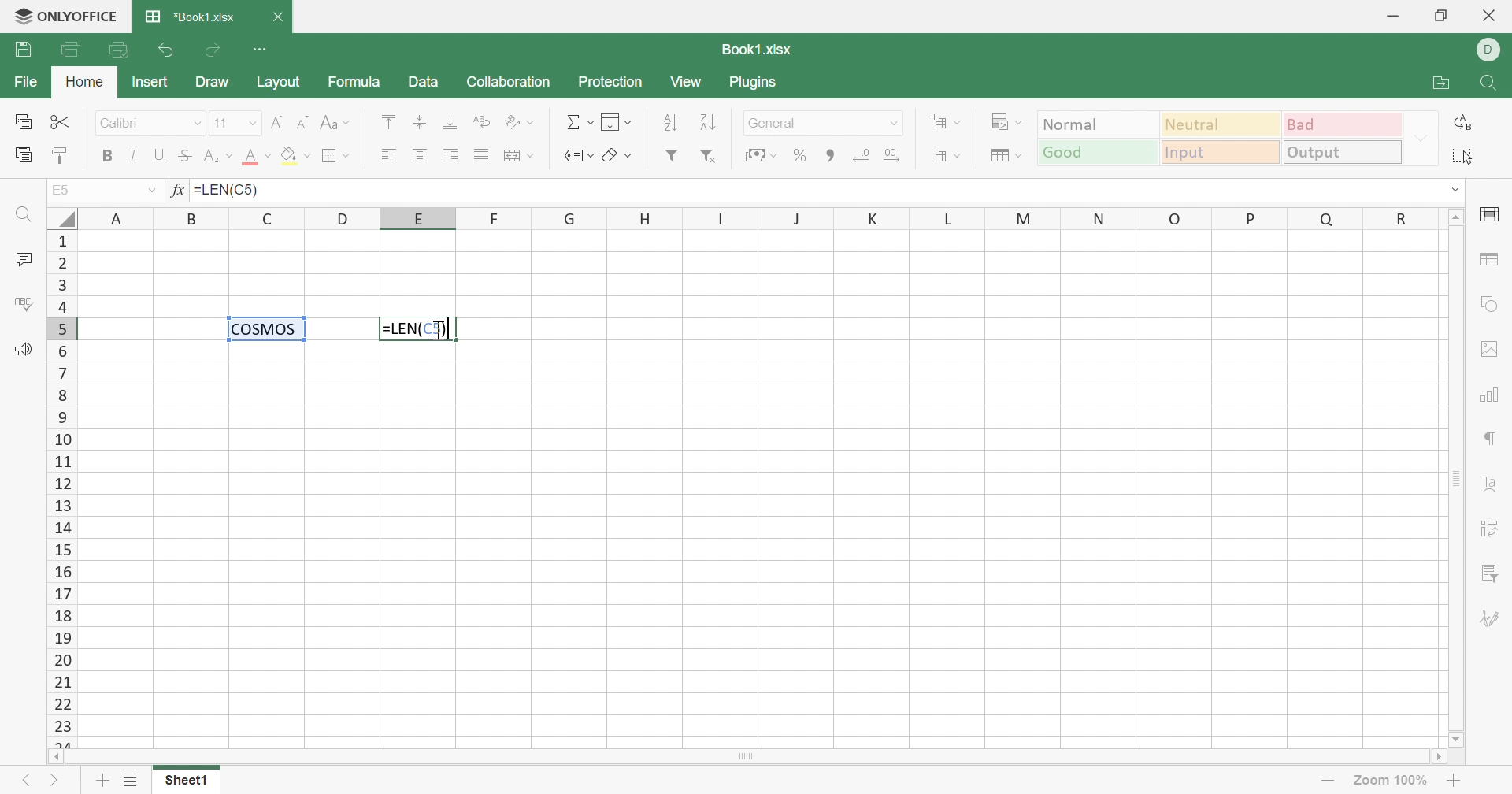  I want to click on Copy style, so click(61, 158).